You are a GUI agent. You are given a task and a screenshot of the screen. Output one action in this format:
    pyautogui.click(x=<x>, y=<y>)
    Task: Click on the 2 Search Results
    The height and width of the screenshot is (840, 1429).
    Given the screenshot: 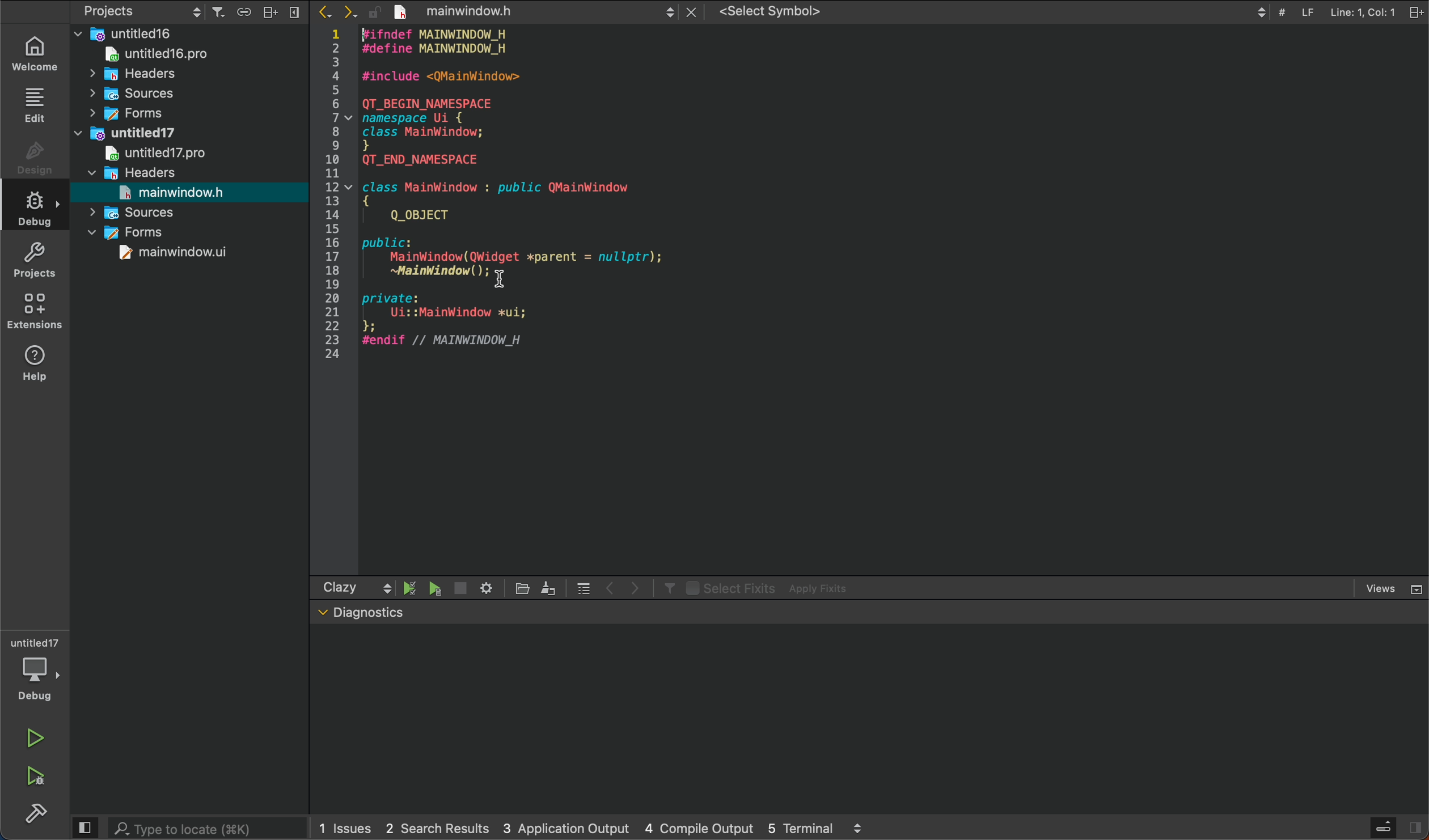 What is the action you would take?
    pyautogui.click(x=434, y=827)
    